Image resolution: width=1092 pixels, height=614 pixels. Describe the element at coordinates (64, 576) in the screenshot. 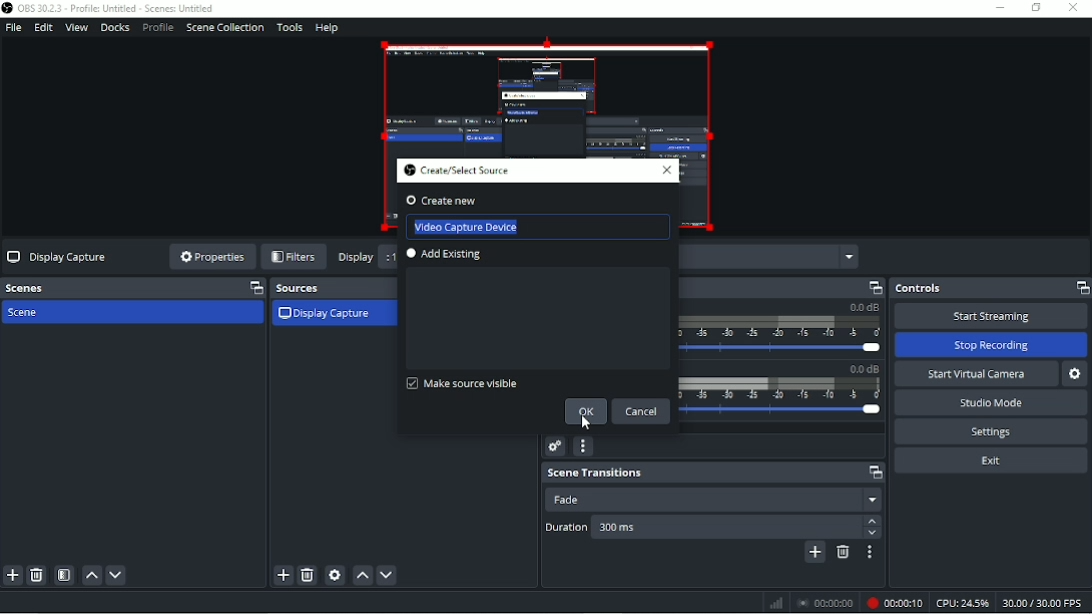

I see `Open scene filters` at that location.